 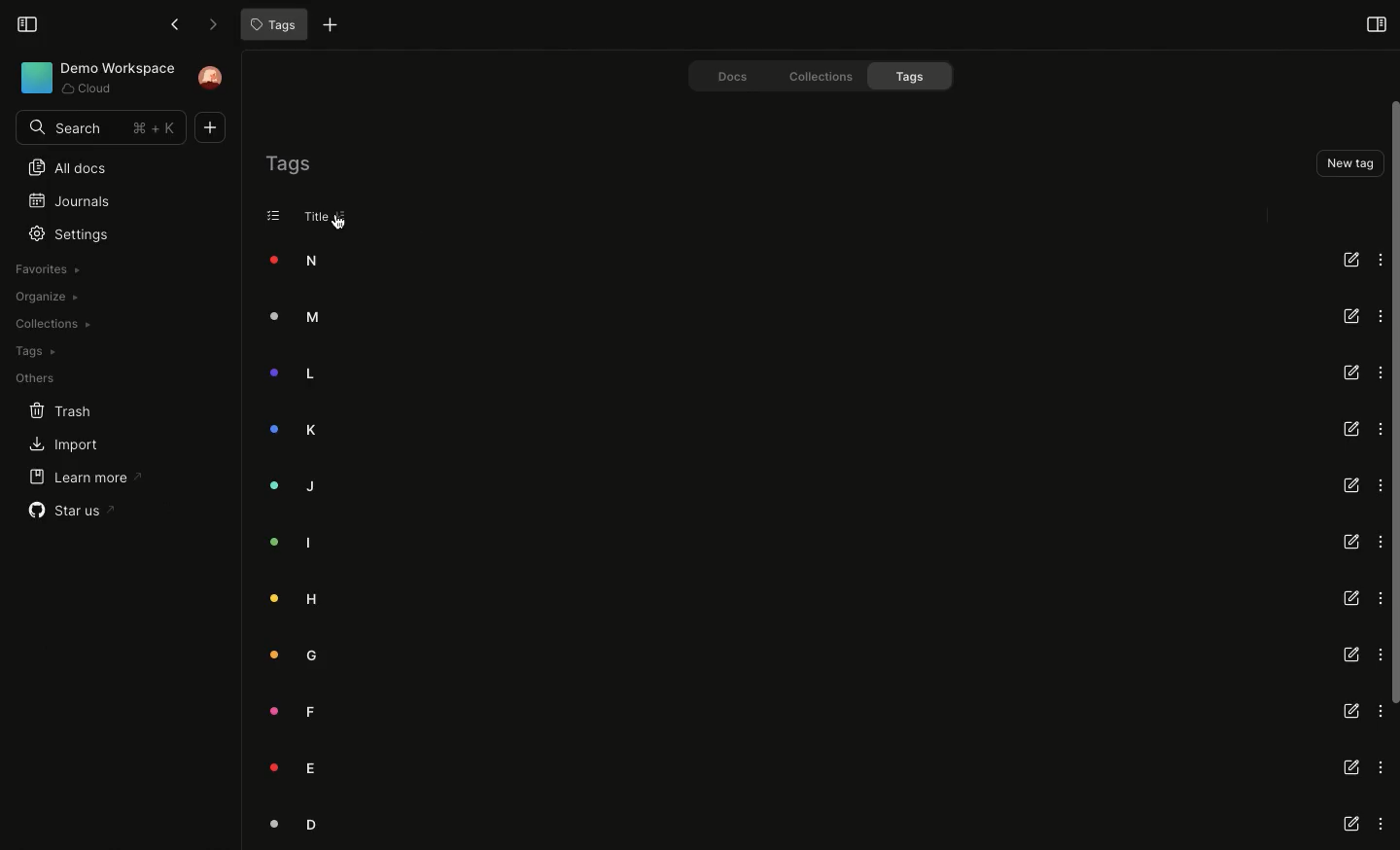 I want to click on Collapse sidebar, so click(x=27, y=23).